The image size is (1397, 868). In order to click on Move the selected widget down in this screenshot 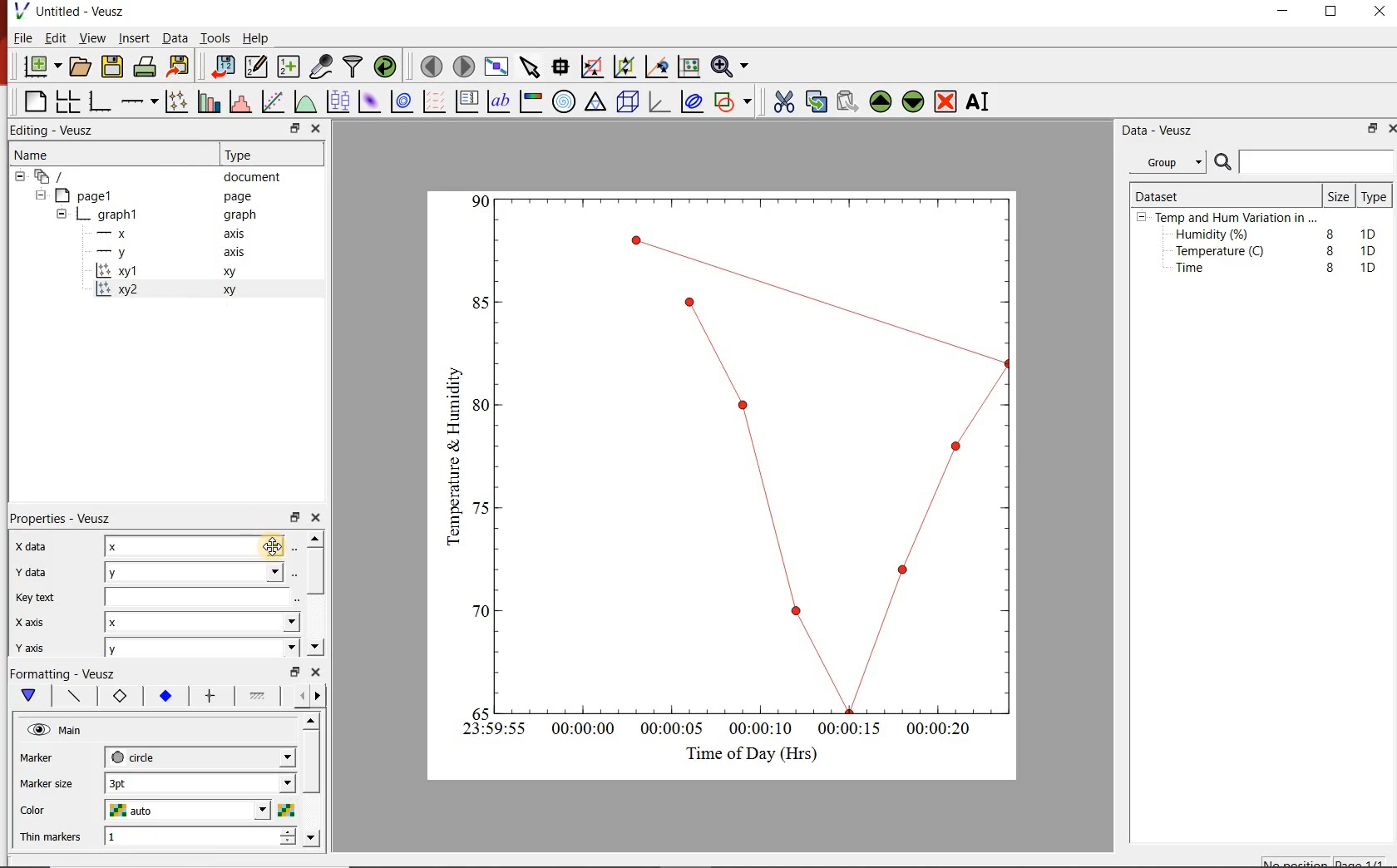, I will do `click(916, 101)`.